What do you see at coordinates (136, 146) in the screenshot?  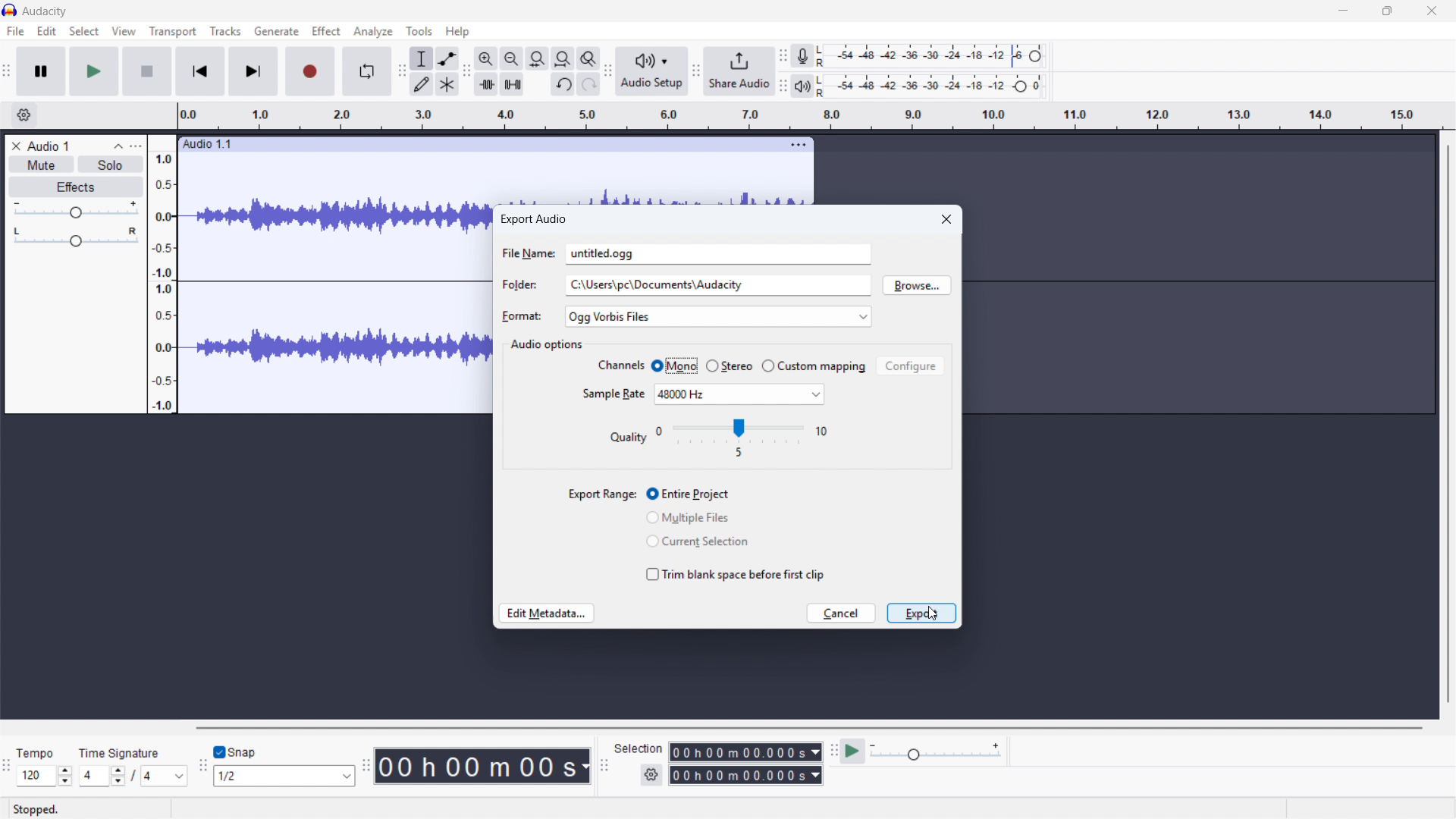 I see `Track control panel menu ` at bounding box center [136, 146].